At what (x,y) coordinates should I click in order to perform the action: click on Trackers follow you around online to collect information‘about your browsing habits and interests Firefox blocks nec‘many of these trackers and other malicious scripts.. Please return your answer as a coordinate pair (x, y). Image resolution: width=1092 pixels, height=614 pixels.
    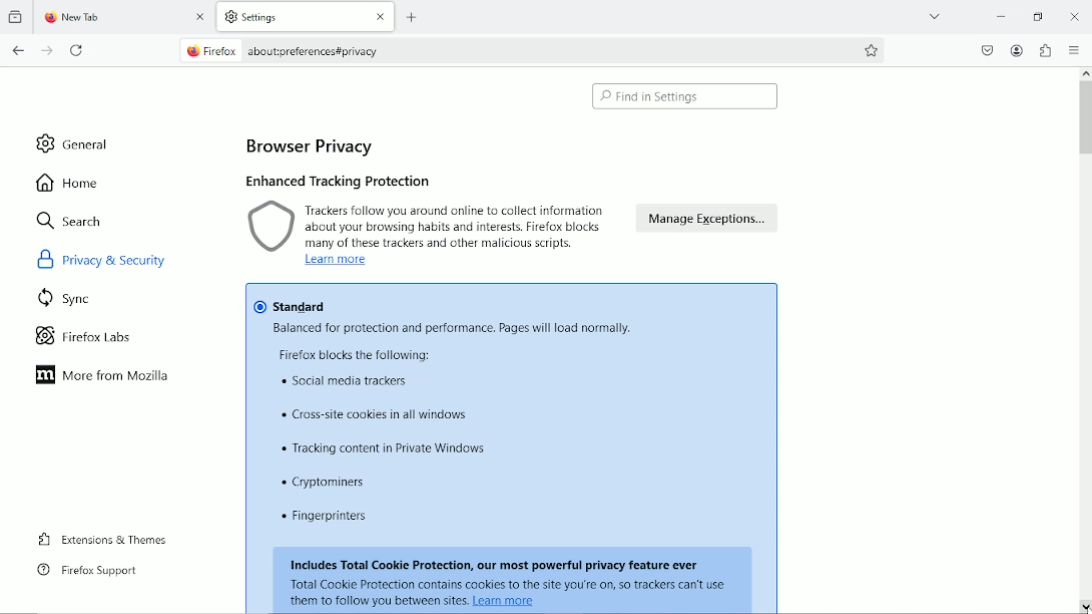
    Looking at the image, I should click on (465, 225).